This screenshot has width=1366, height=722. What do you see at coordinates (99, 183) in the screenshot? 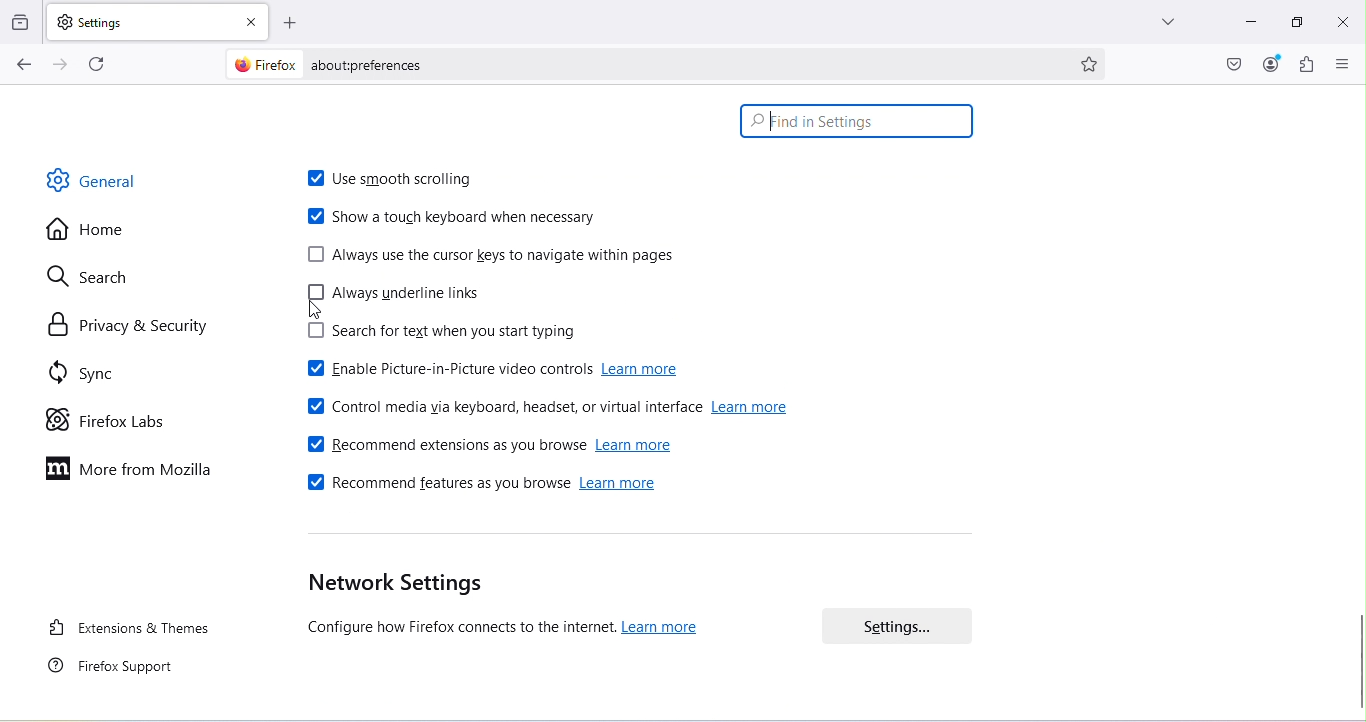
I see `General` at bounding box center [99, 183].